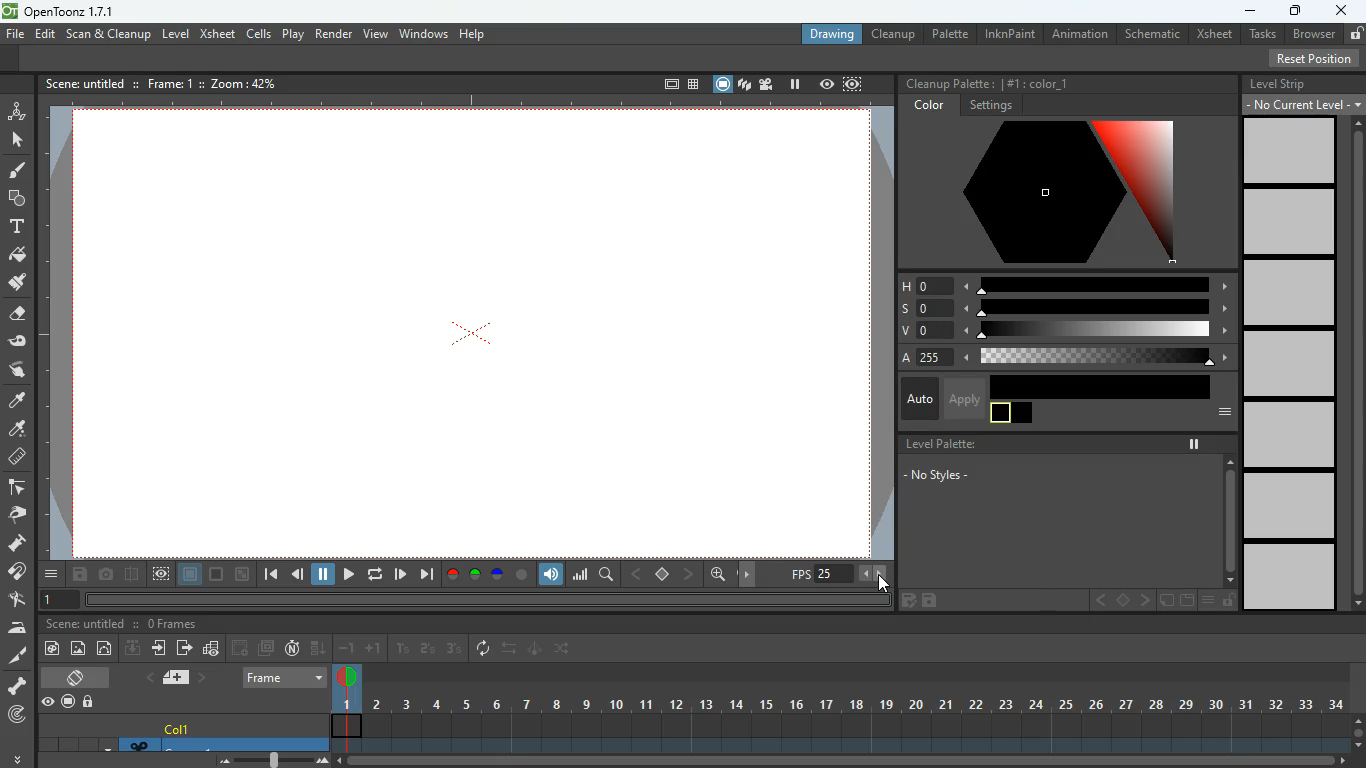  Describe the element at coordinates (184, 648) in the screenshot. I see `send` at that location.